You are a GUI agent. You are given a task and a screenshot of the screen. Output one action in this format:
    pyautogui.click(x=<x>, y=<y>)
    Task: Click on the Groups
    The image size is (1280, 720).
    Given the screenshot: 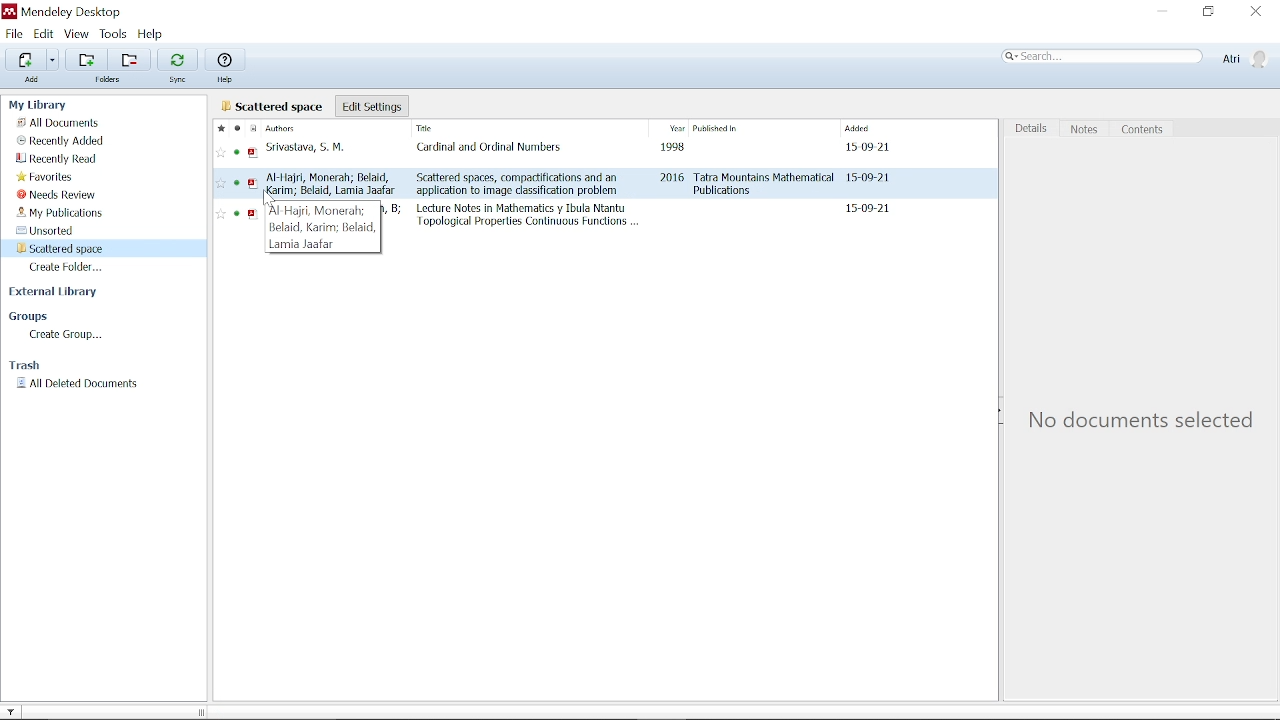 What is the action you would take?
    pyautogui.click(x=30, y=317)
    